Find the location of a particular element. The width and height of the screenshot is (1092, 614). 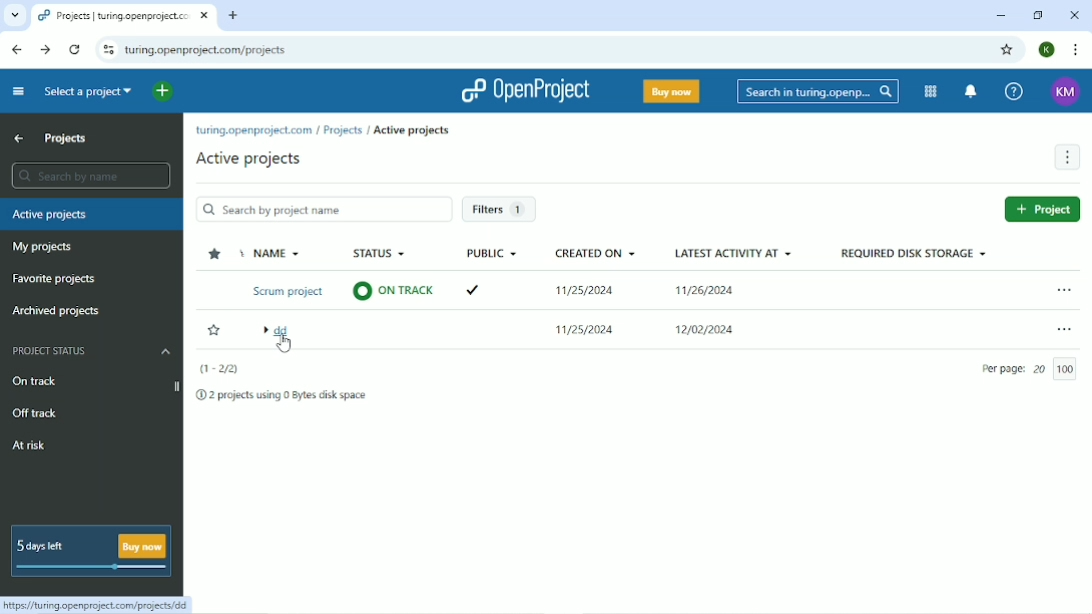

Status is located at coordinates (393, 254).